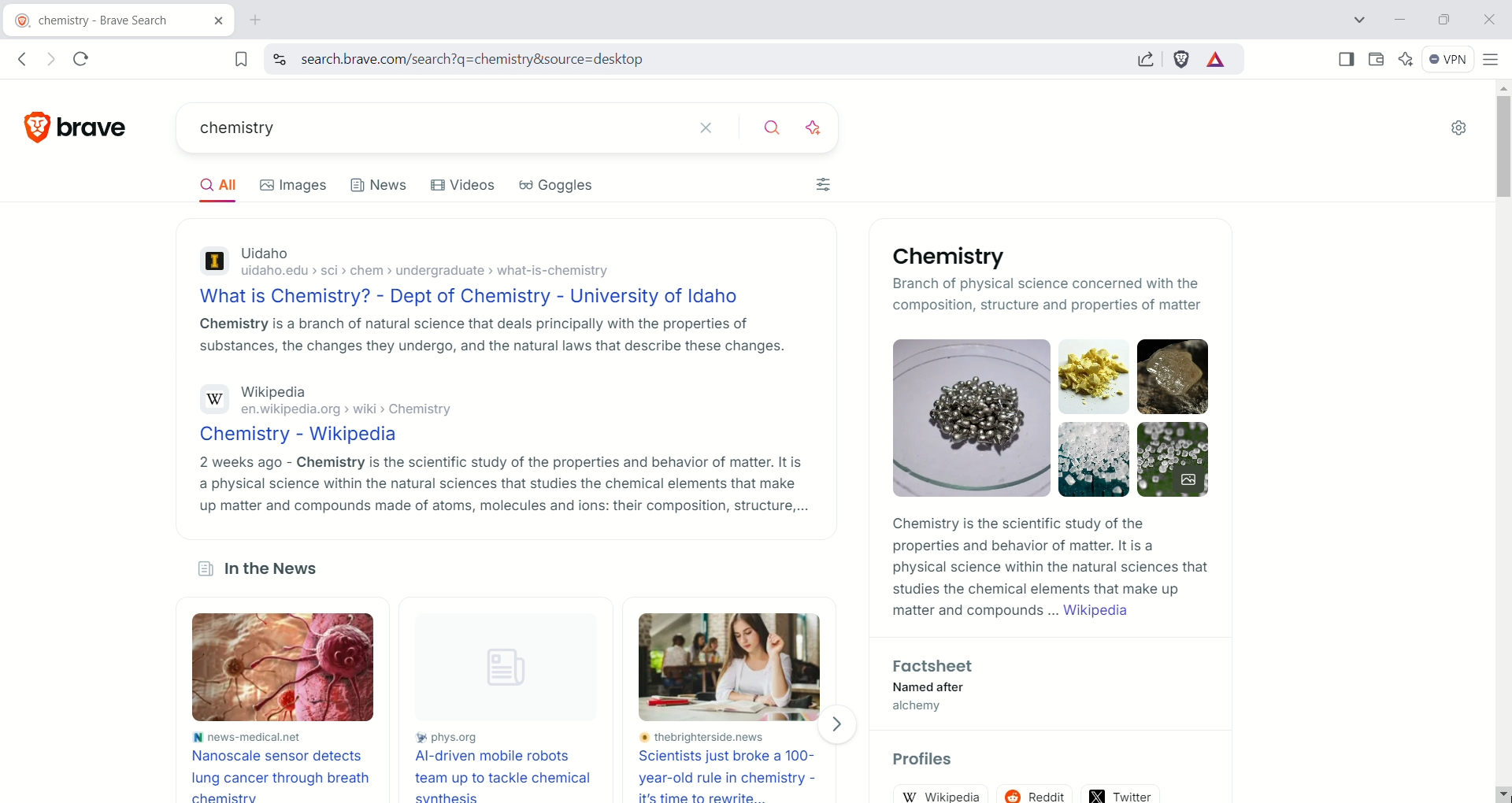  Describe the element at coordinates (1122, 791) in the screenshot. I see `twitter` at that location.